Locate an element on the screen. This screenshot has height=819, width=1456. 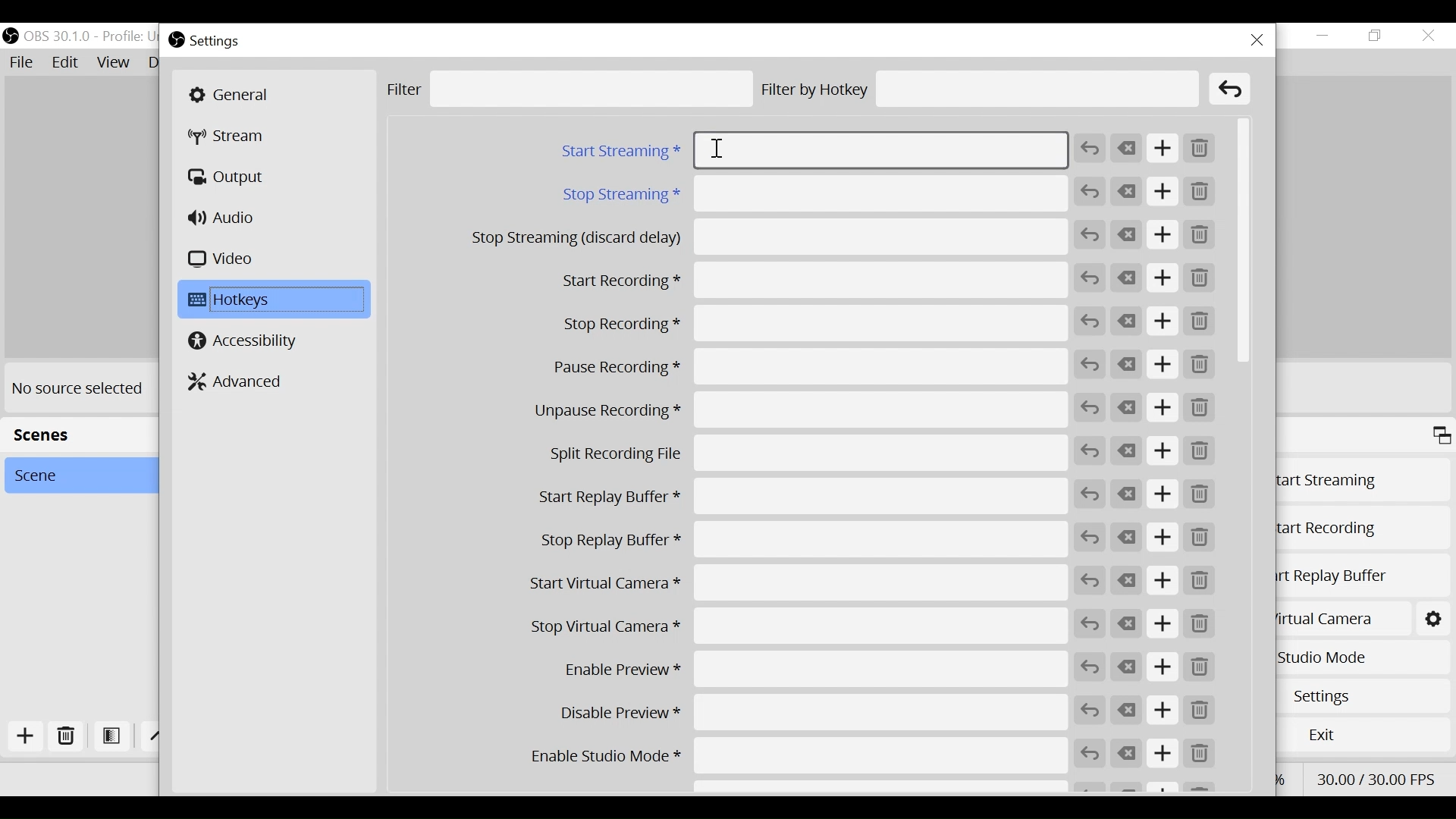
Clear is located at coordinates (1127, 235).